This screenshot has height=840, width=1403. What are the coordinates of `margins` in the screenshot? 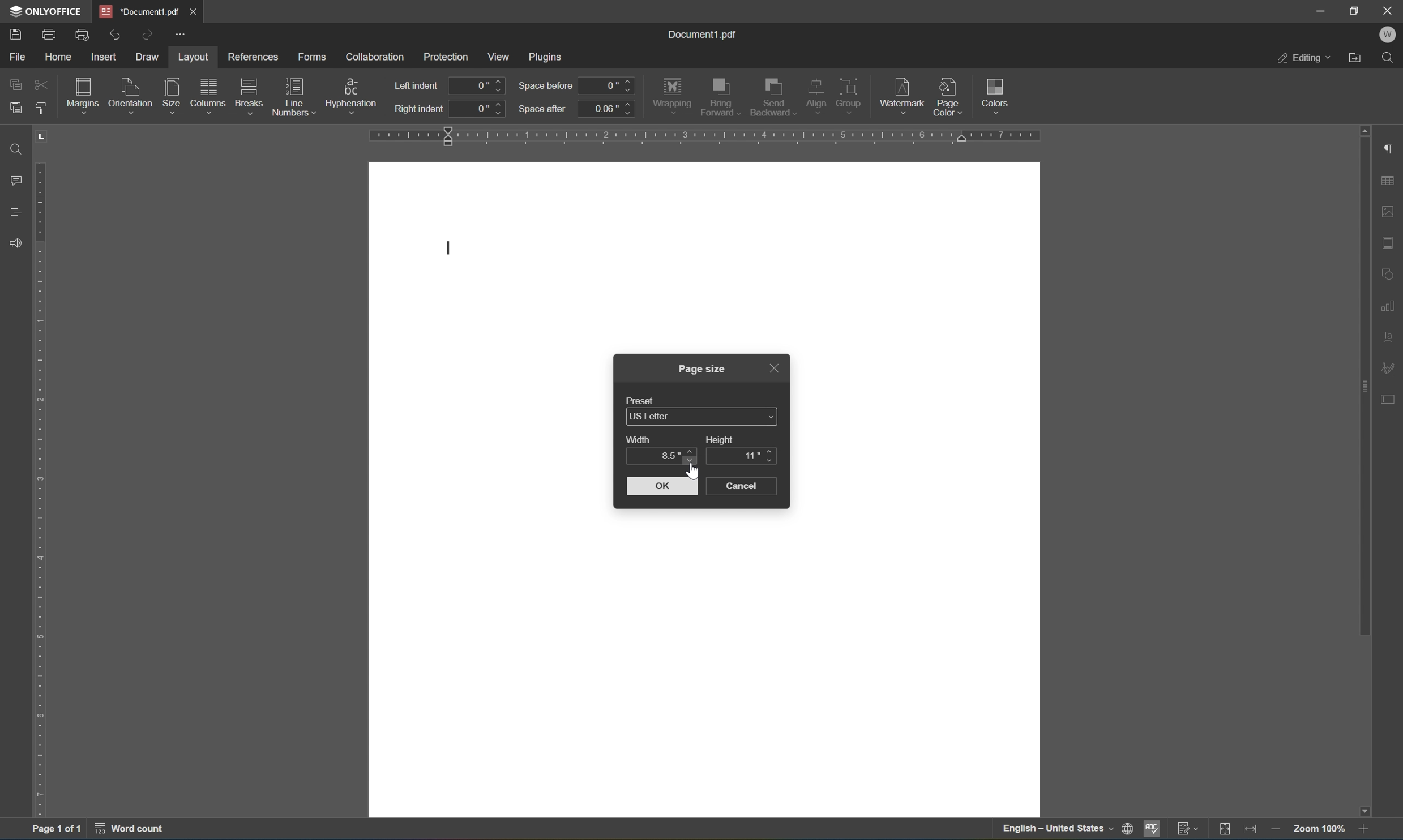 It's located at (82, 93).